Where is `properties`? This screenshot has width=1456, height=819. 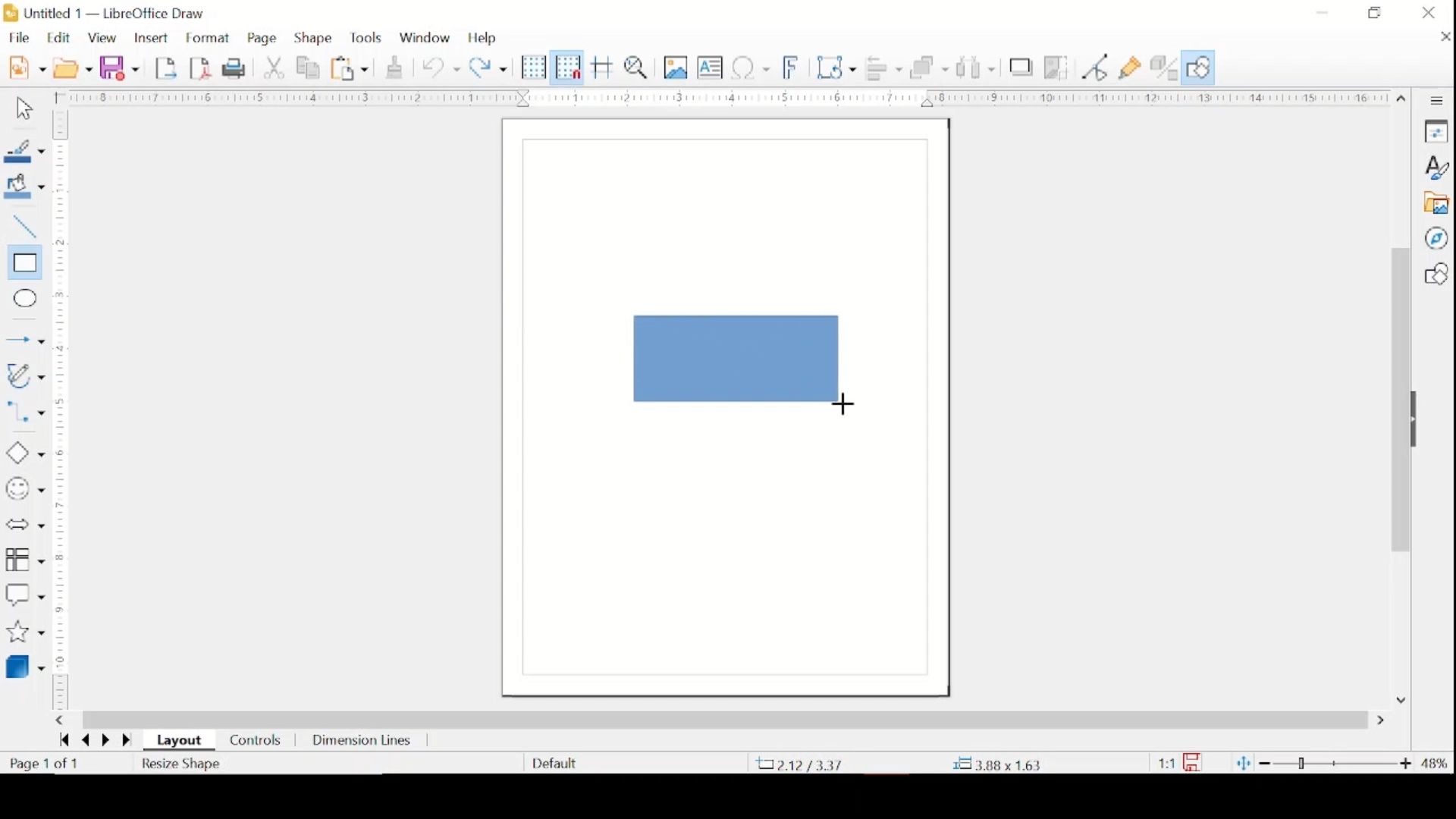 properties is located at coordinates (1436, 130).